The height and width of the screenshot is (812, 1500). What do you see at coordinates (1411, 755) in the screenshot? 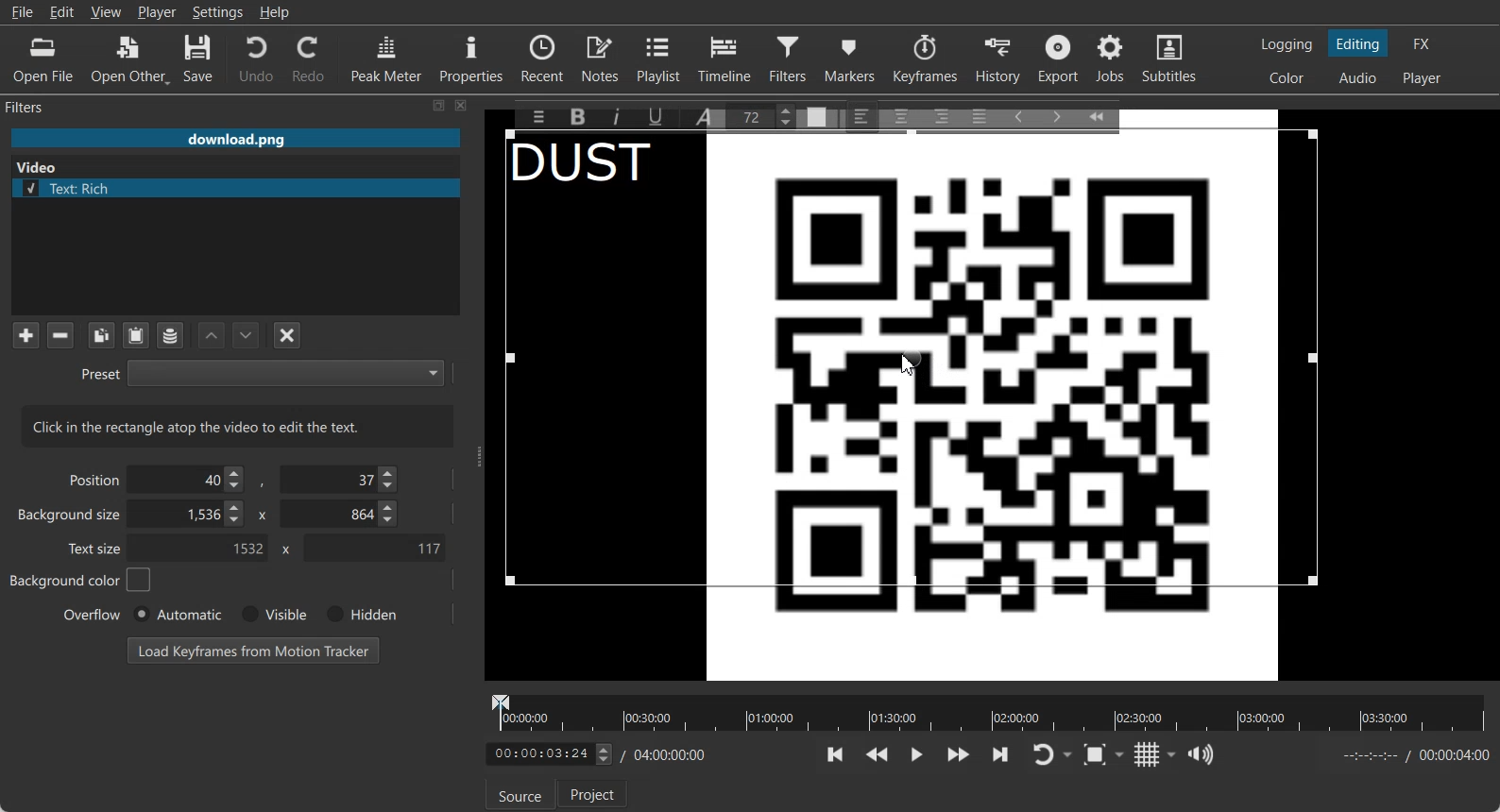
I see `End time ` at bounding box center [1411, 755].